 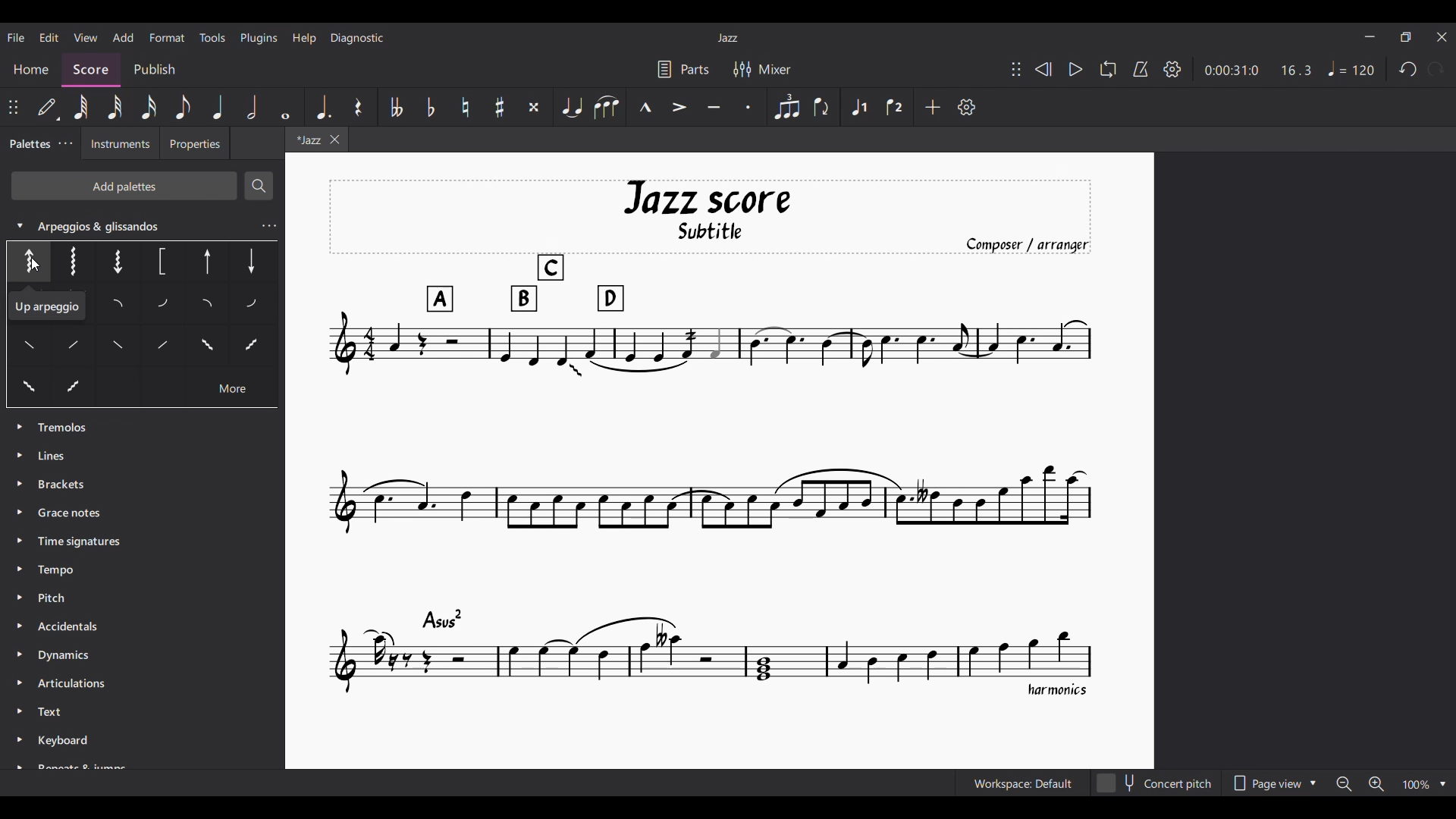 I want to click on Search, so click(x=259, y=186).